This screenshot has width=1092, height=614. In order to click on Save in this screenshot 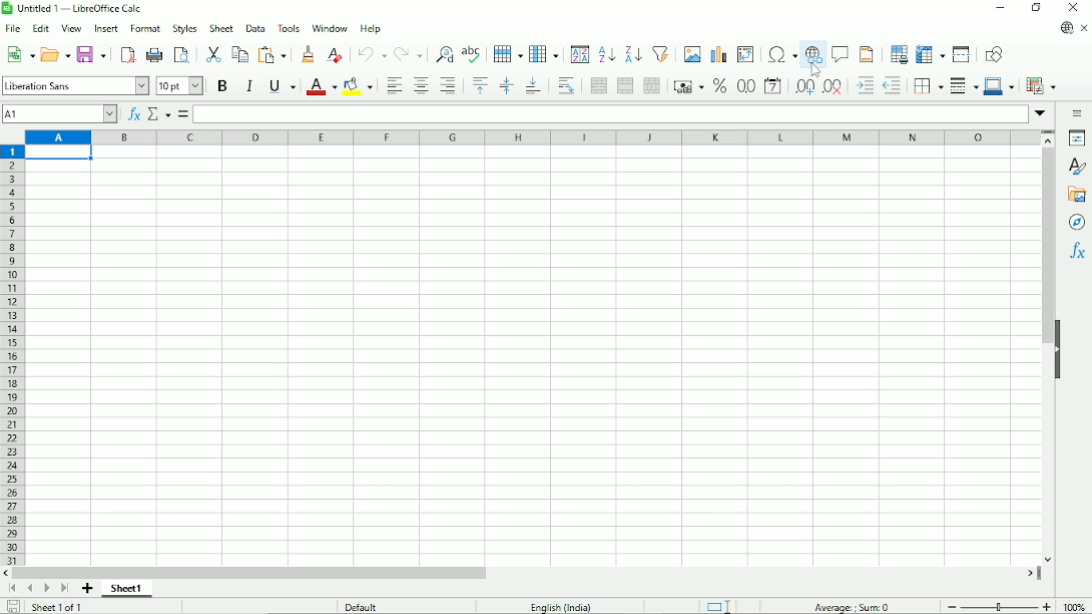, I will do `click(92, 54)`.